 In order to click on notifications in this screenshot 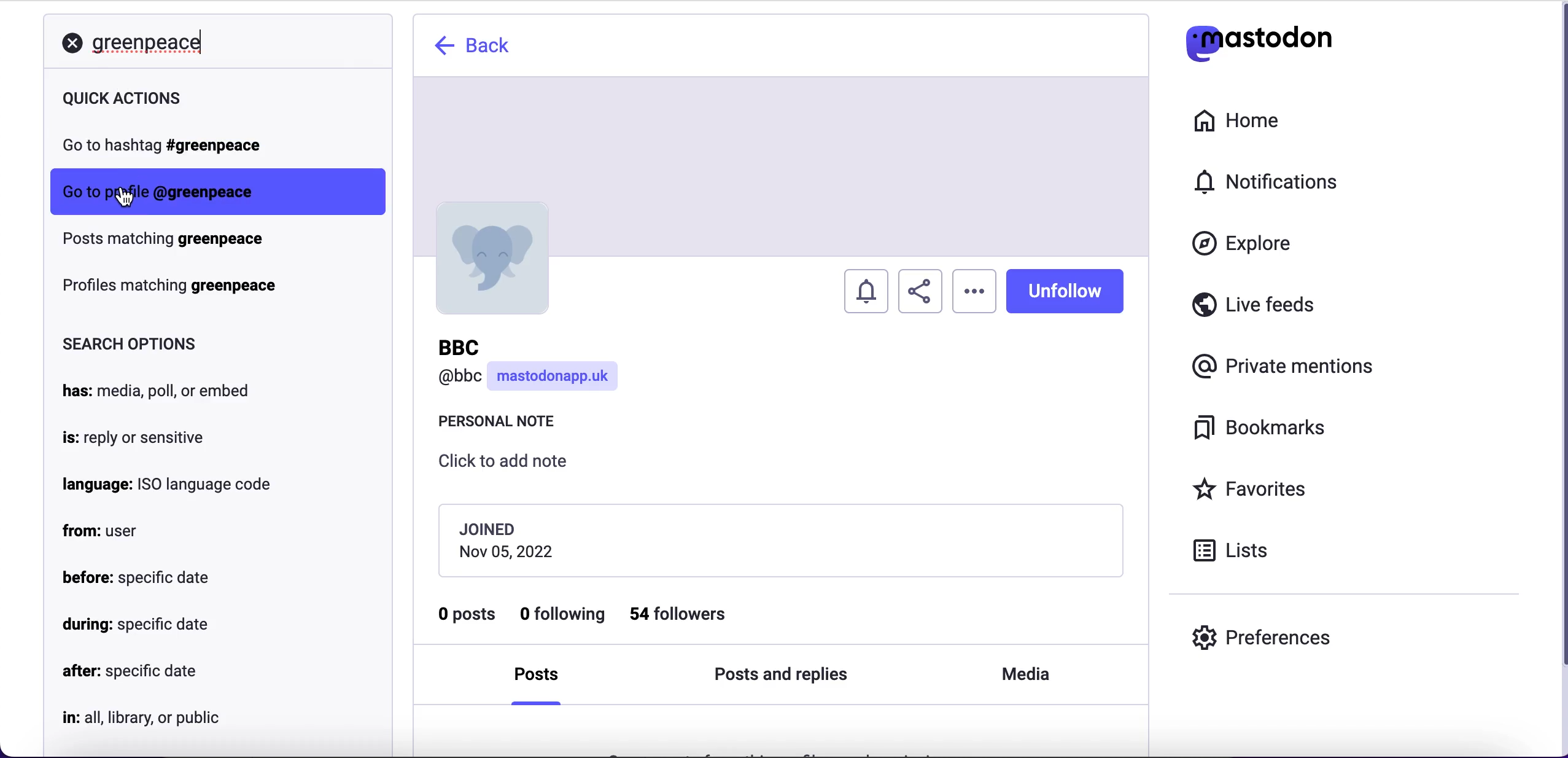, I will do `click(1272, 181)`.